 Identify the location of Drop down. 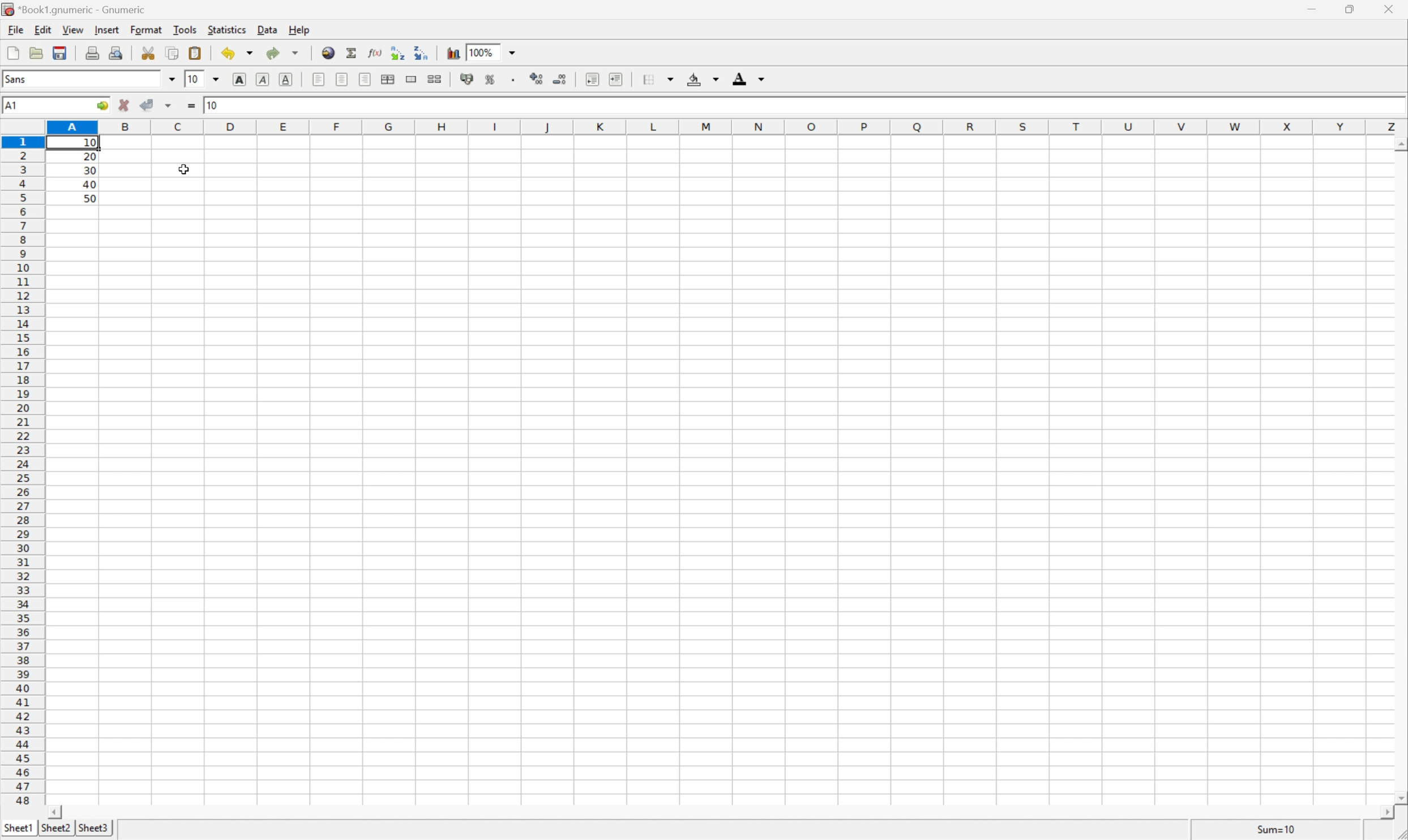
(216, 80).